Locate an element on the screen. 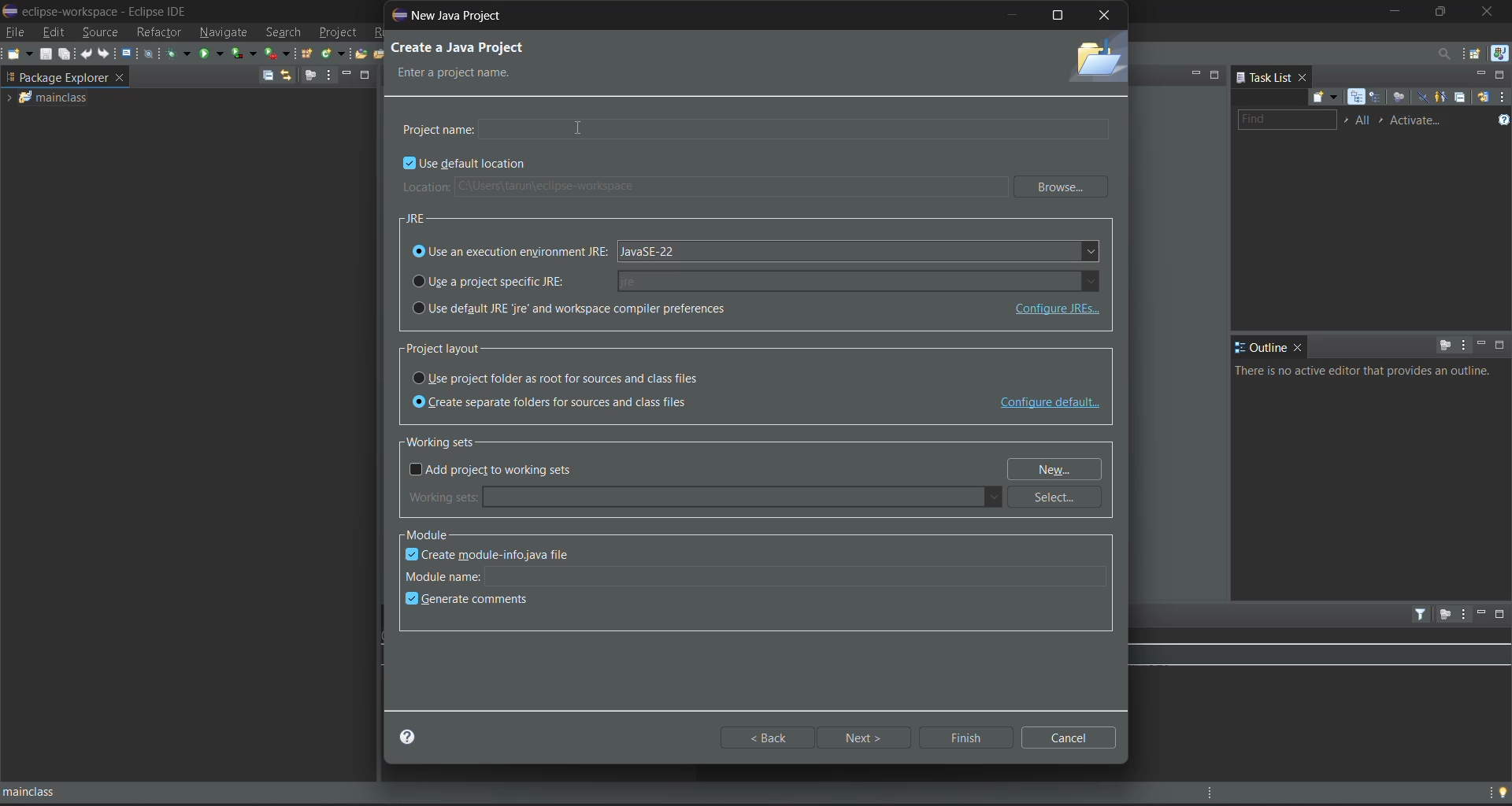 The height and width of the screenshot is (806, 1512). configure JREs is located at coordinates (1054, 309).